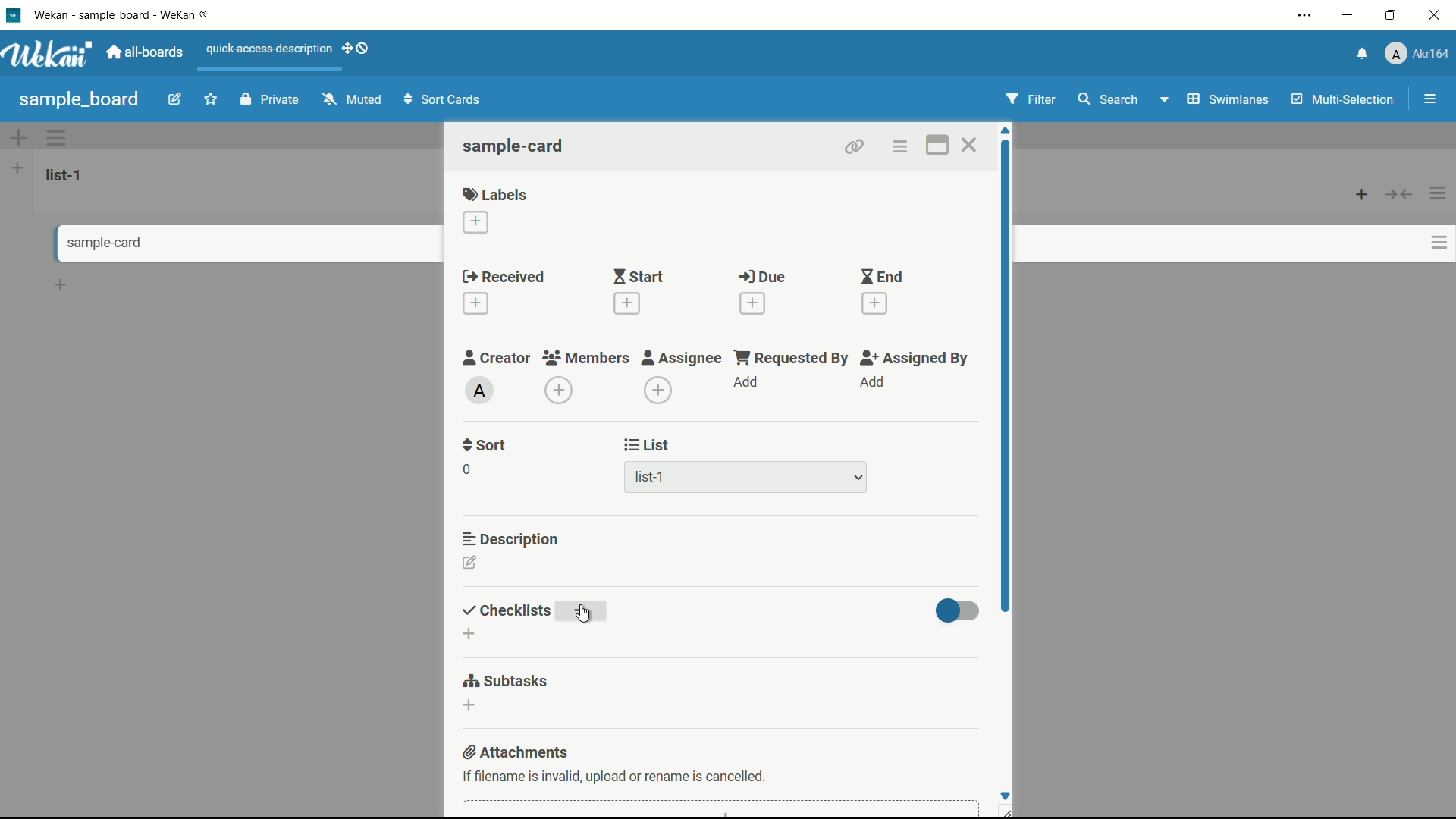  I want to click on settings and more, so click(1307, 17).